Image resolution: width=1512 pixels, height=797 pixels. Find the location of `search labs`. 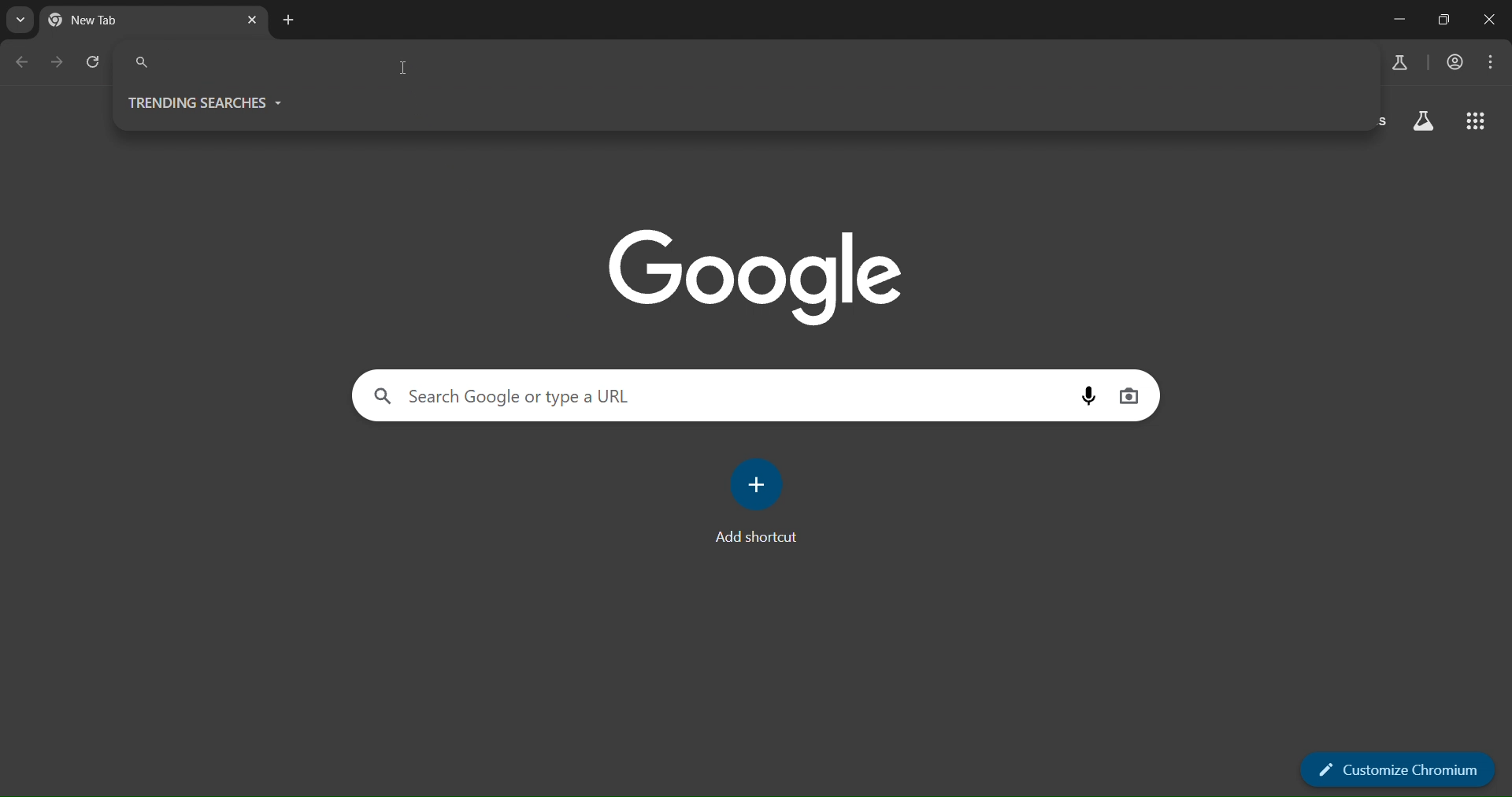

search labs is located at coordinates (1399, 64).